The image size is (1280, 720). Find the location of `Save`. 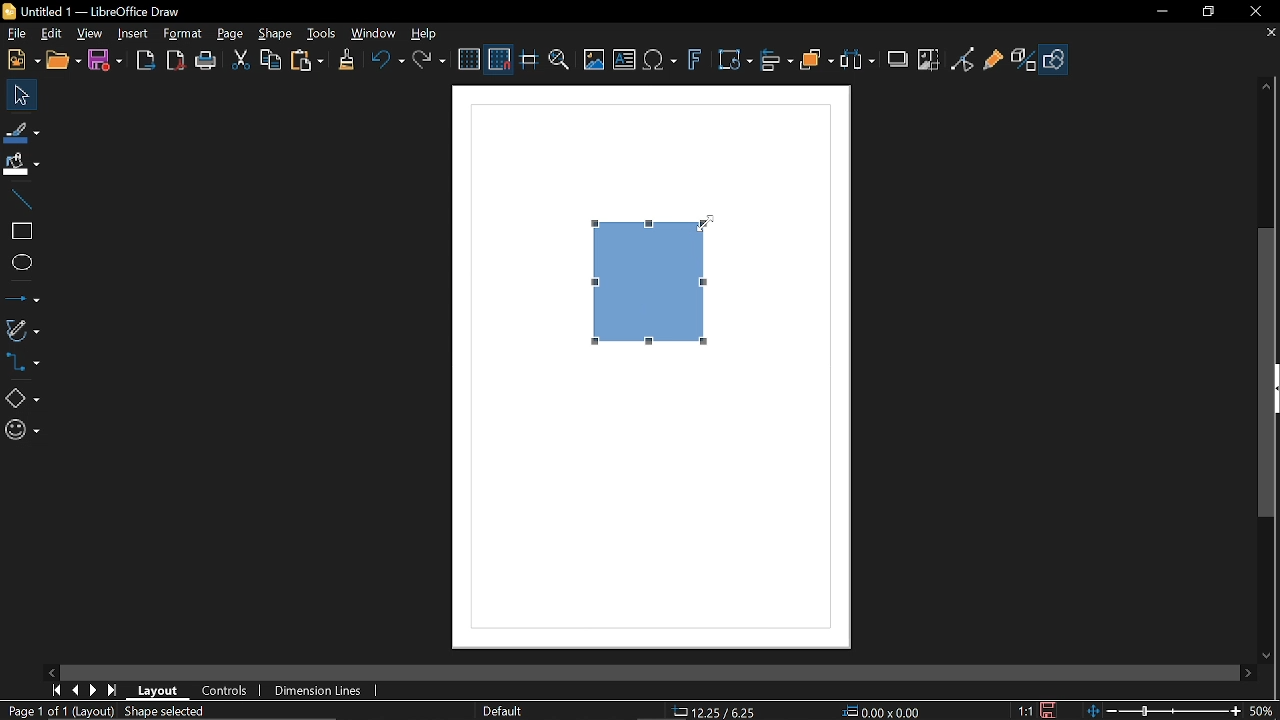

Save is located at coordinates (1050, 711).